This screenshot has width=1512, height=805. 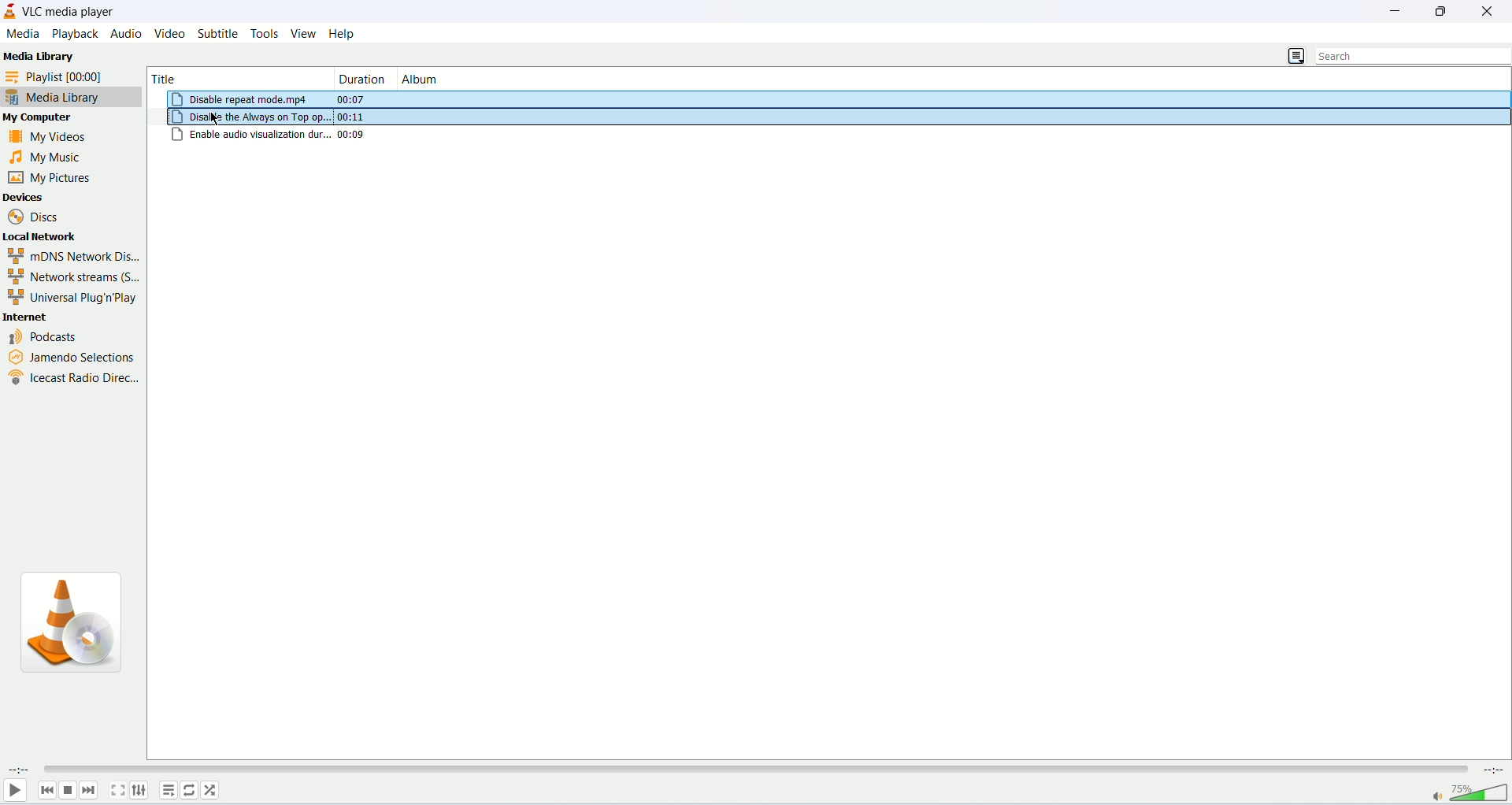 What do you see at coordinates (265, 34) in the screenshot?
I see `tools` at bounding box center [265, 34].